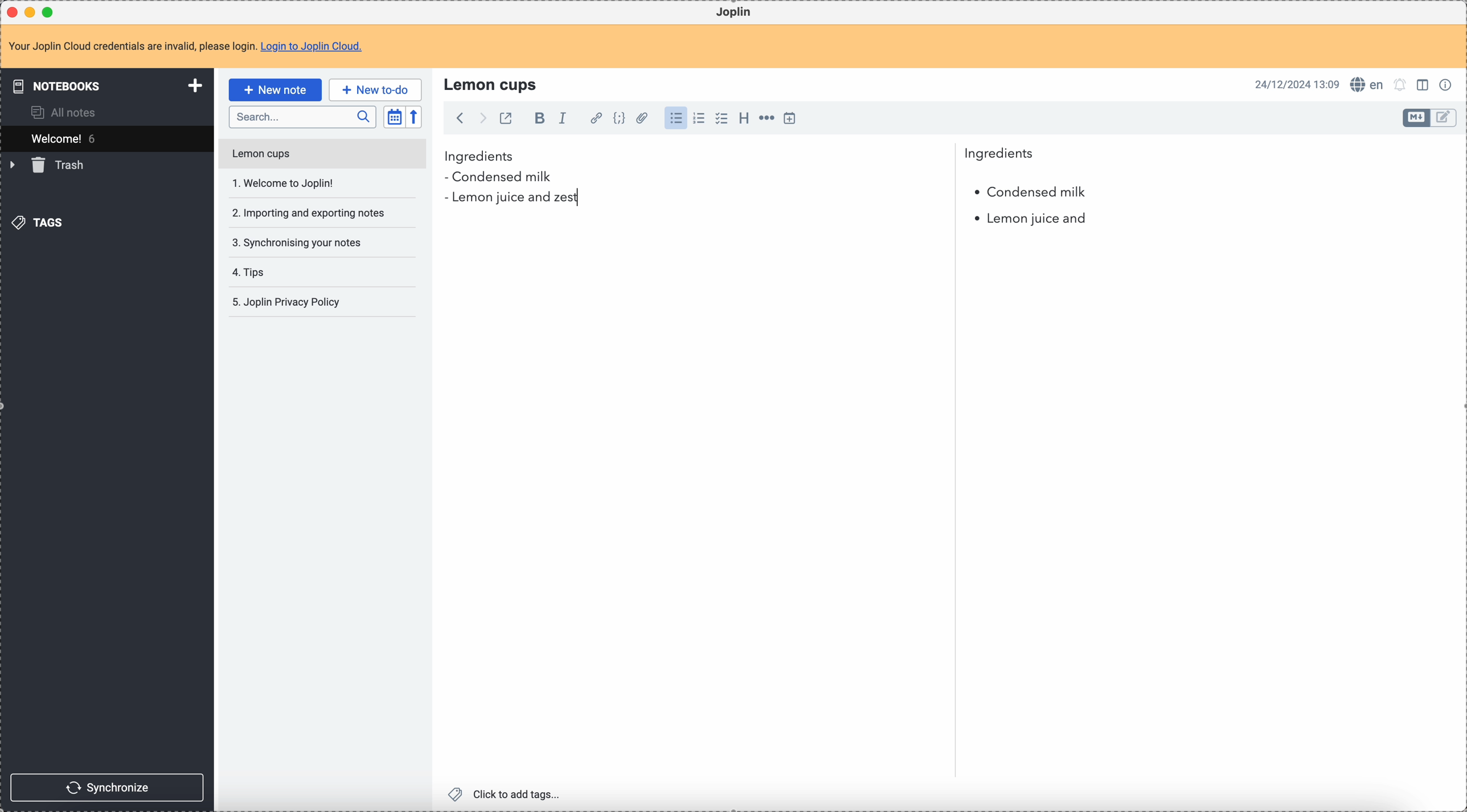 The width and height of the screenshot is (1467, 812). Describe the element at coordinates (310, 213) in the screenshot. I see `importing and exporting your notes` at that location.